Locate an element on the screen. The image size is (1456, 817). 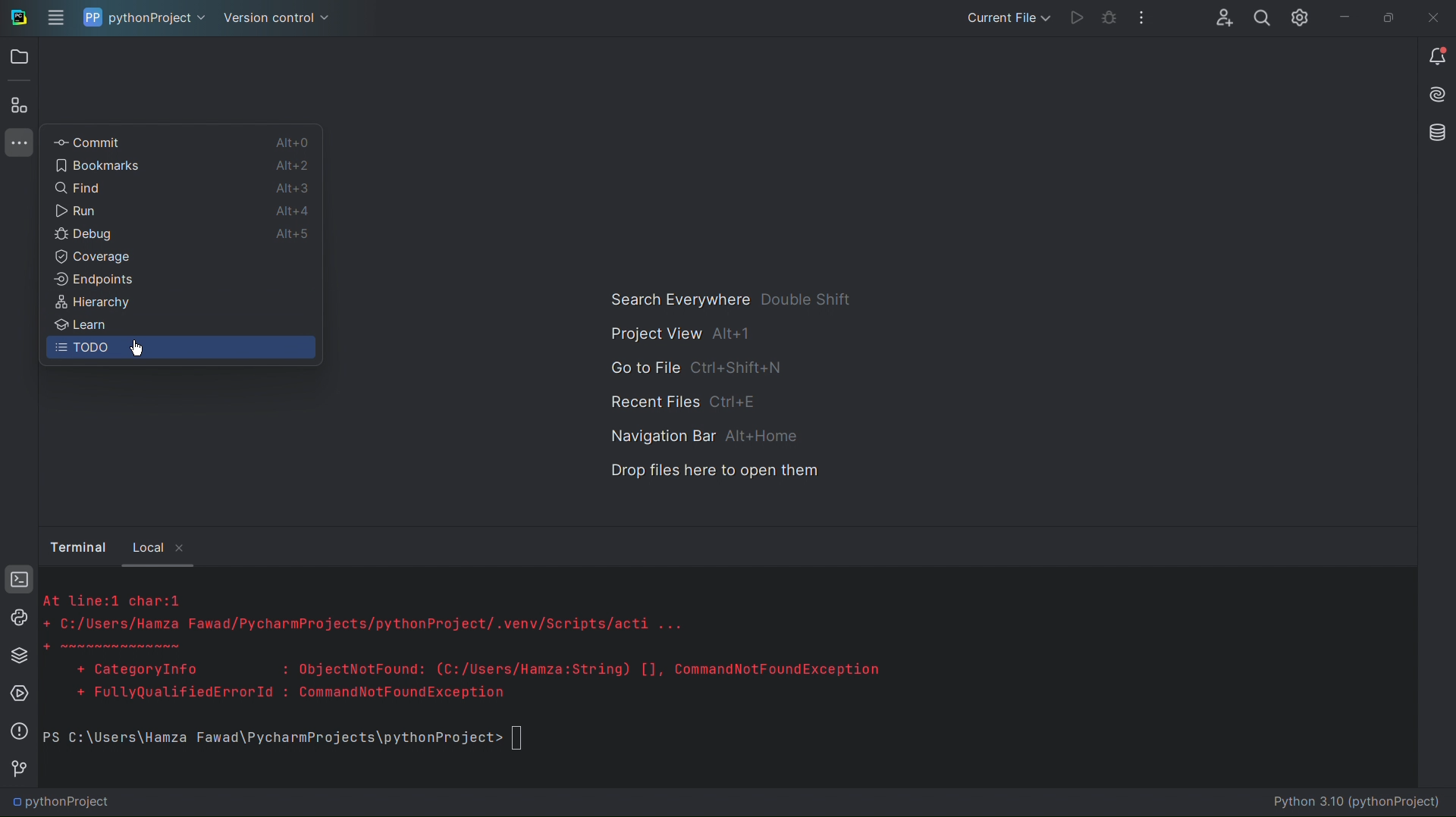
Debug is located at coordinates (80, 232).